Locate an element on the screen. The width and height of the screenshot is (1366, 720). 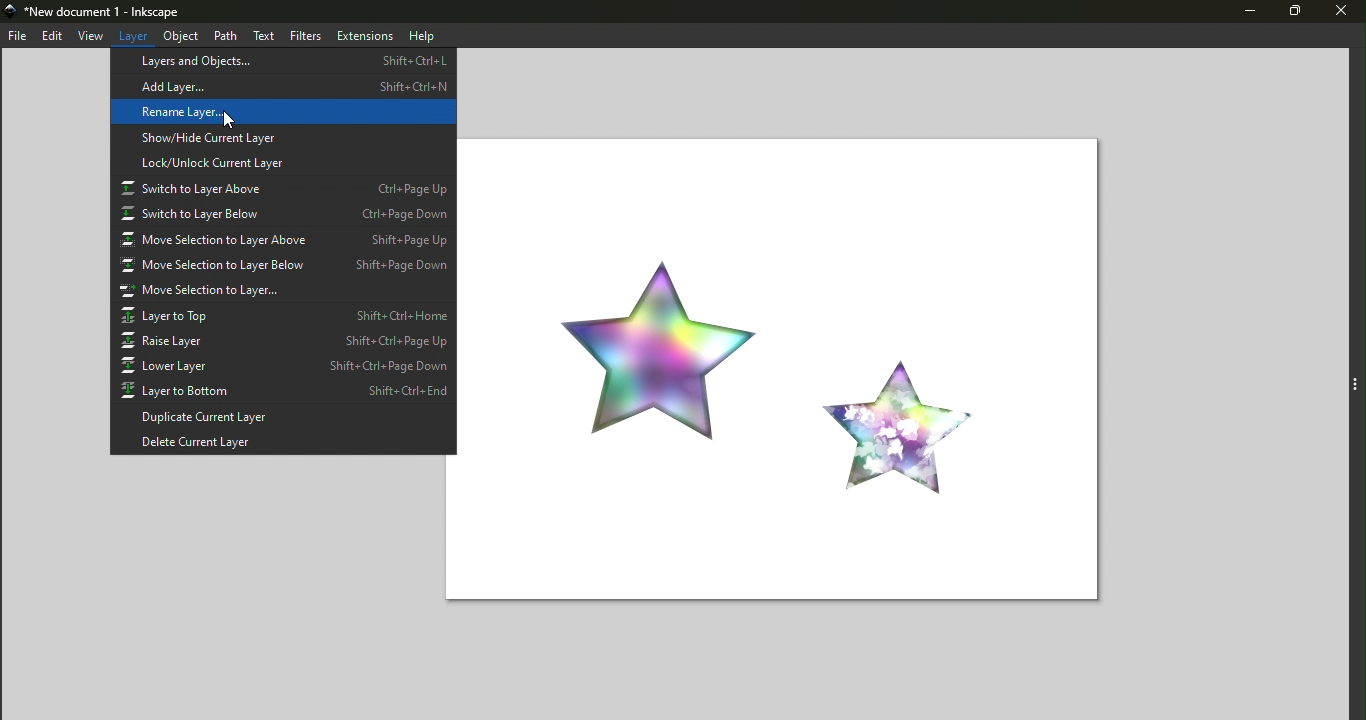
Duplicate current layer is located at coordinates (282, 418).